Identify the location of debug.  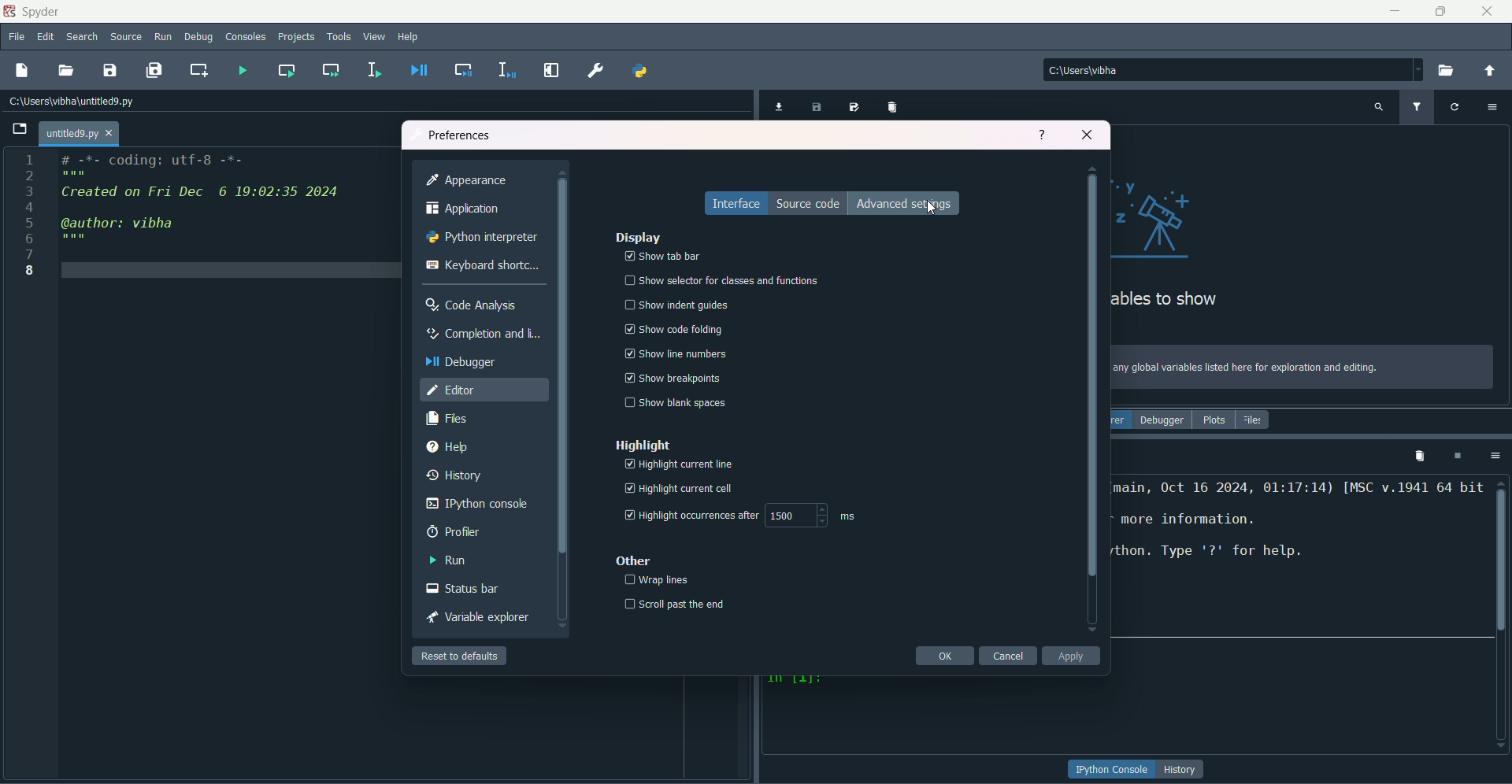
(199, 38).